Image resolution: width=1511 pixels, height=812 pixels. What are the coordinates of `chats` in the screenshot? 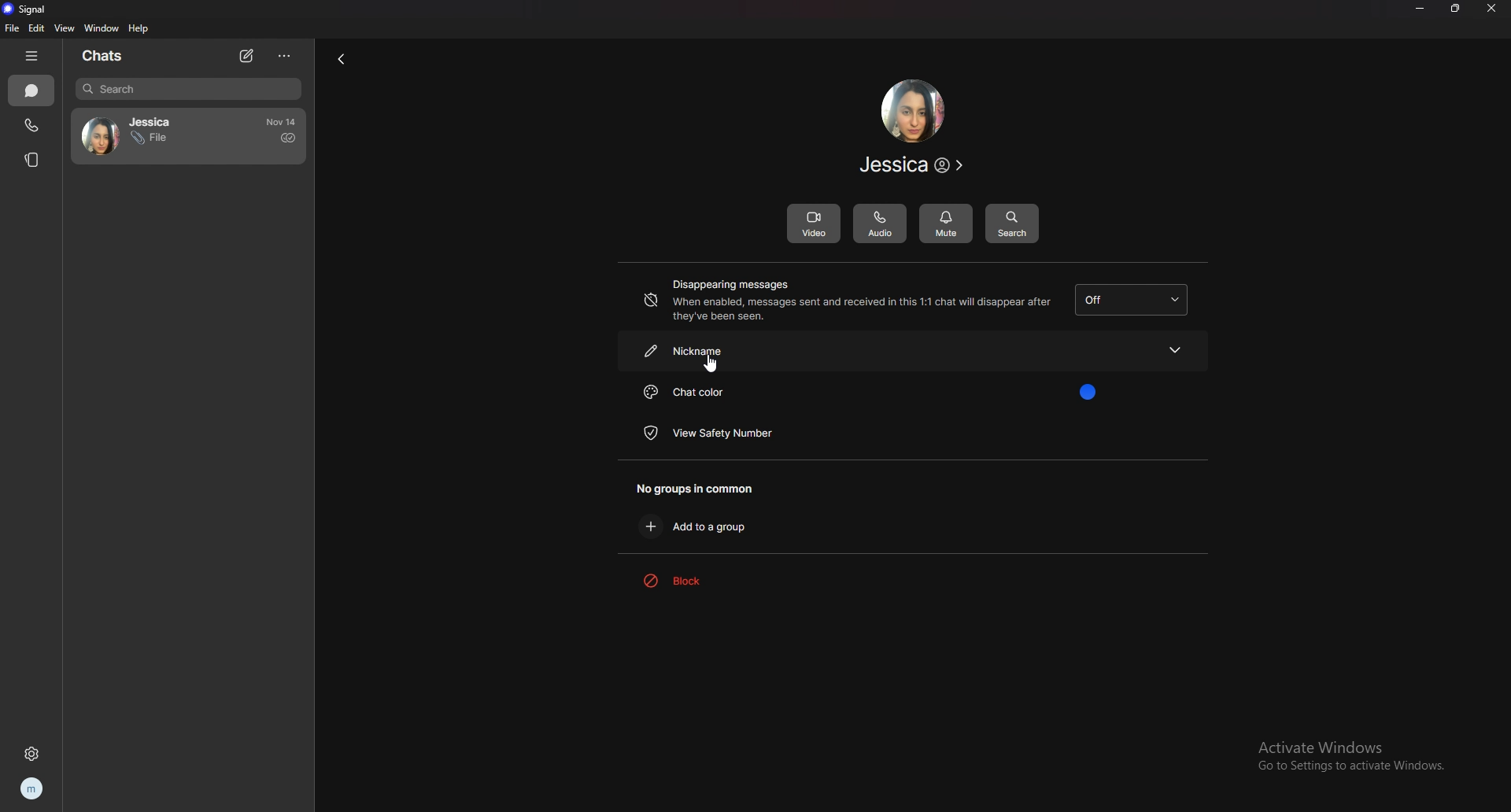 It's located at (106, 57).